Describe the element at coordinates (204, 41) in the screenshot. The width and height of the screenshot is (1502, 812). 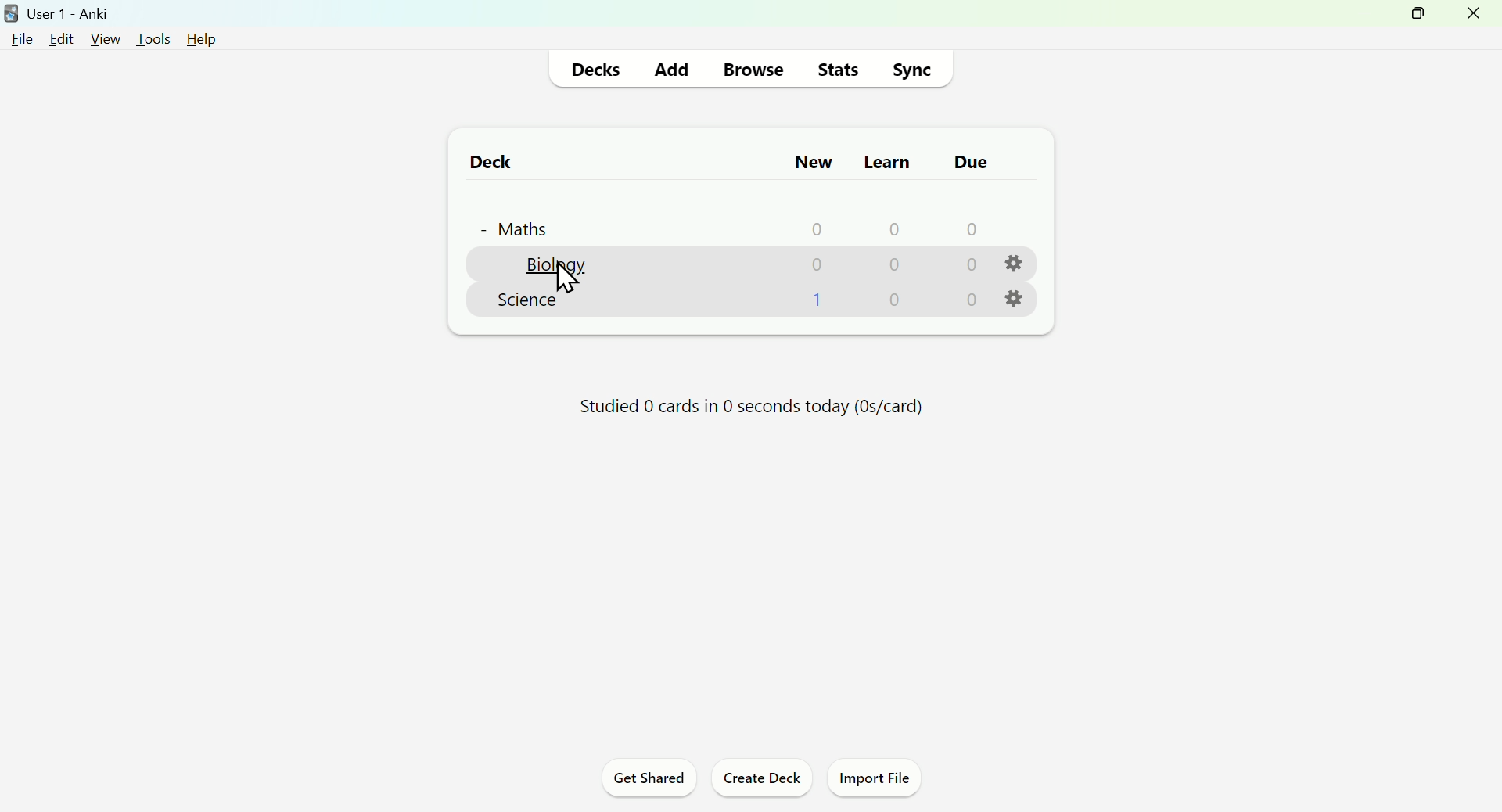
I see `help` at that location.